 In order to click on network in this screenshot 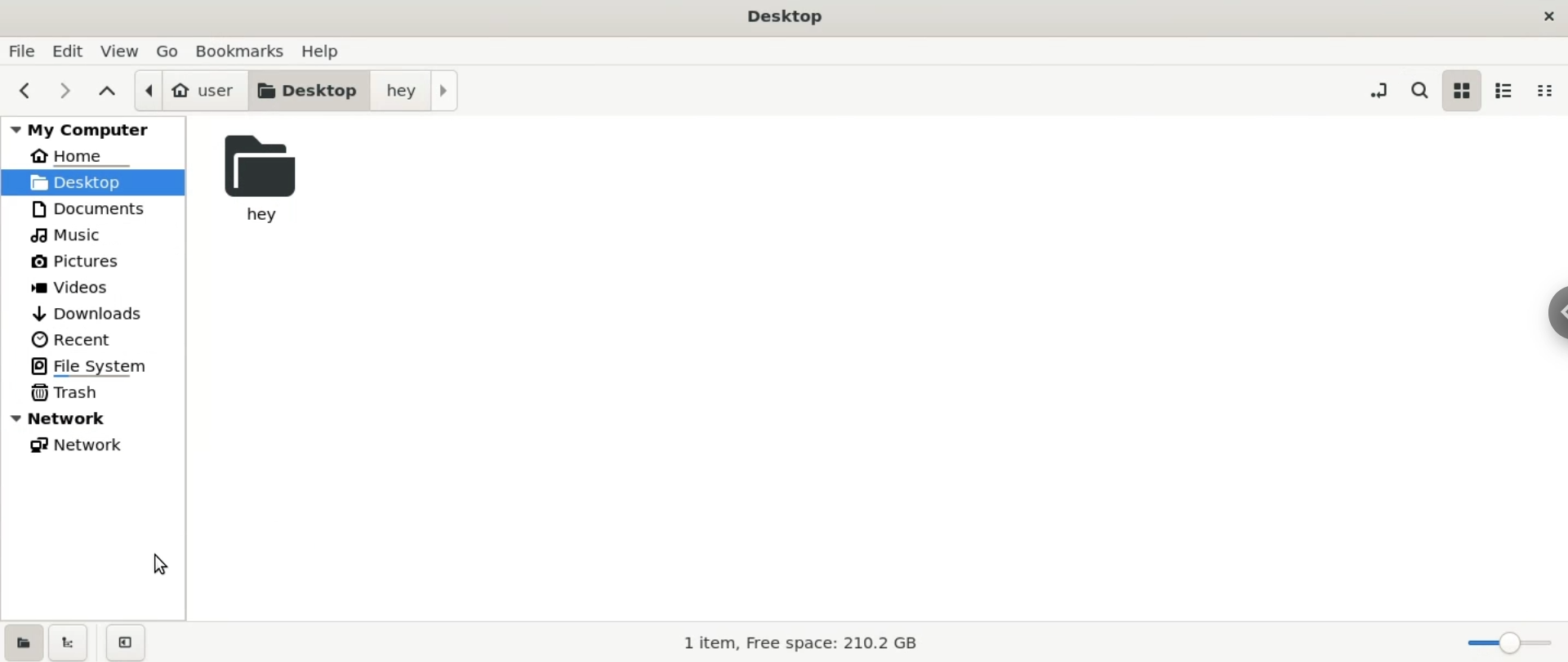, I will do `click(82, 450)`.